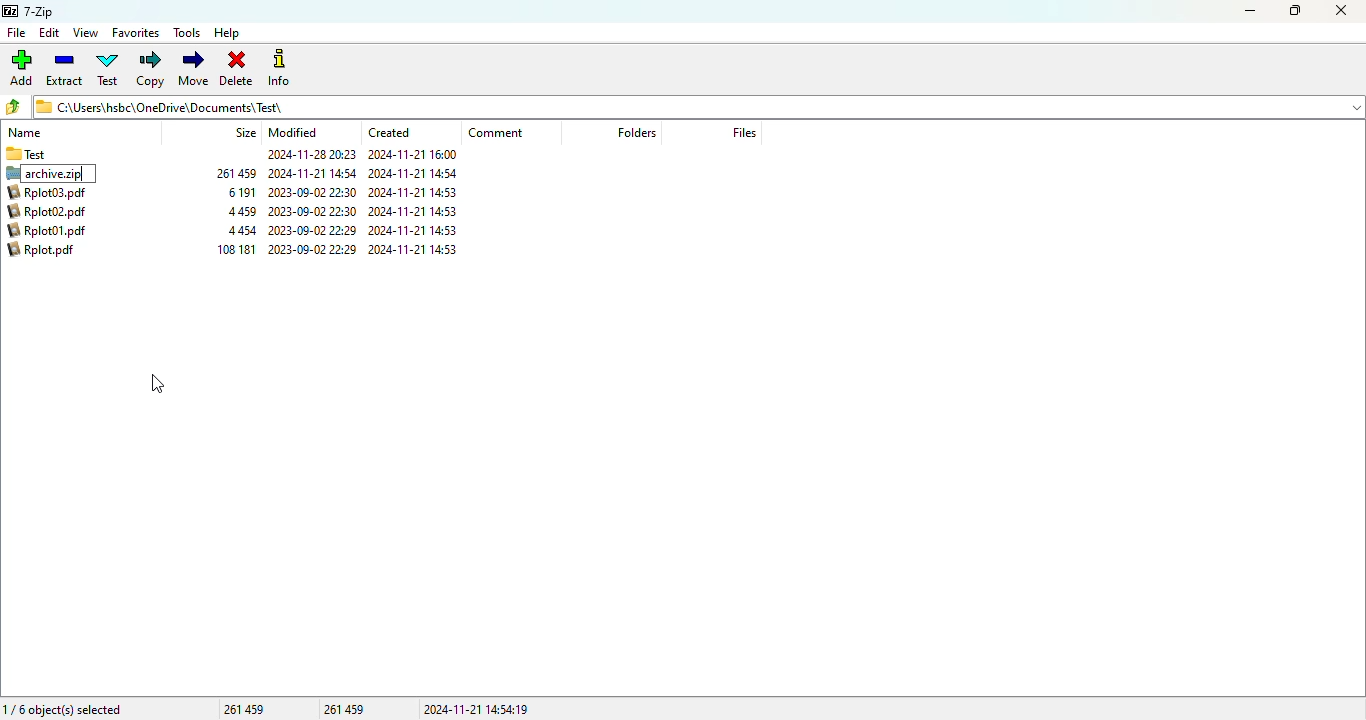 The height and width of the screenshot is (720, 1366). I want to click on name, so click(25, 133).